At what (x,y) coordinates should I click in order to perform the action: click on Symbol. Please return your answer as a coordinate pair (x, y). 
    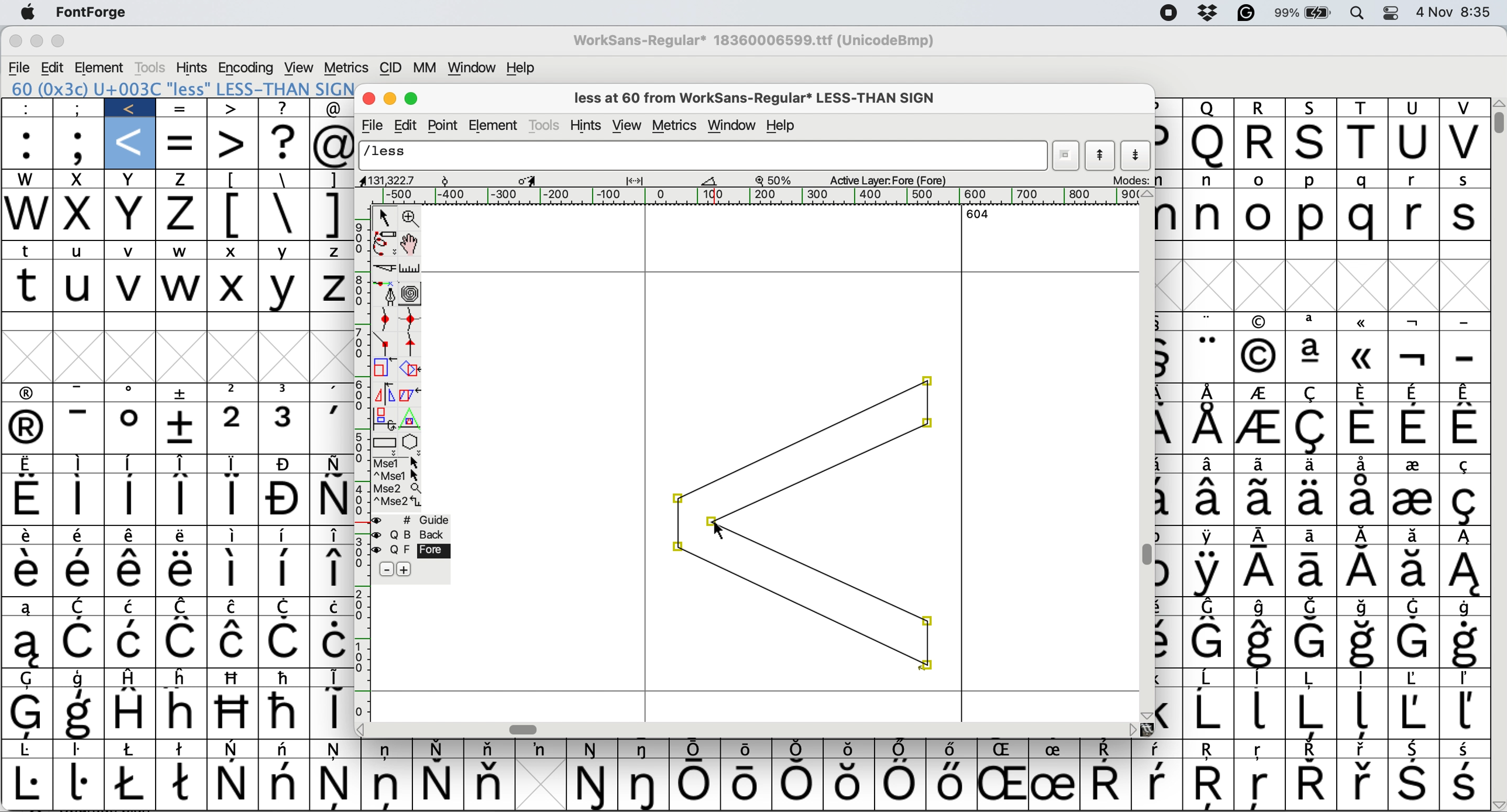
    Looking at the image, I should click on (81, 783).